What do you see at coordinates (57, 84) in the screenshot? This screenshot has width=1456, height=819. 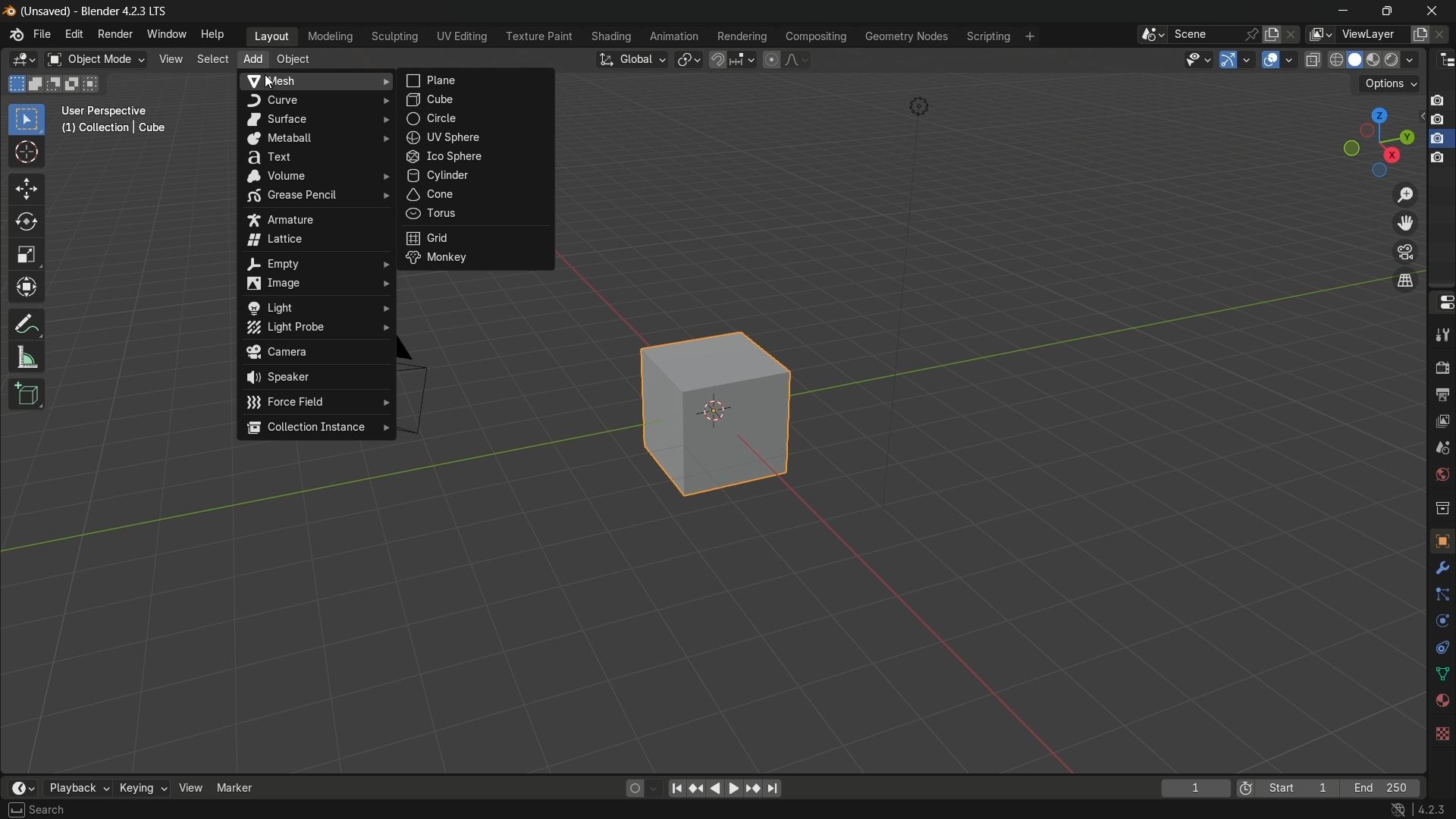 I see `subtract existing selection` at bounding box center [57, 84].